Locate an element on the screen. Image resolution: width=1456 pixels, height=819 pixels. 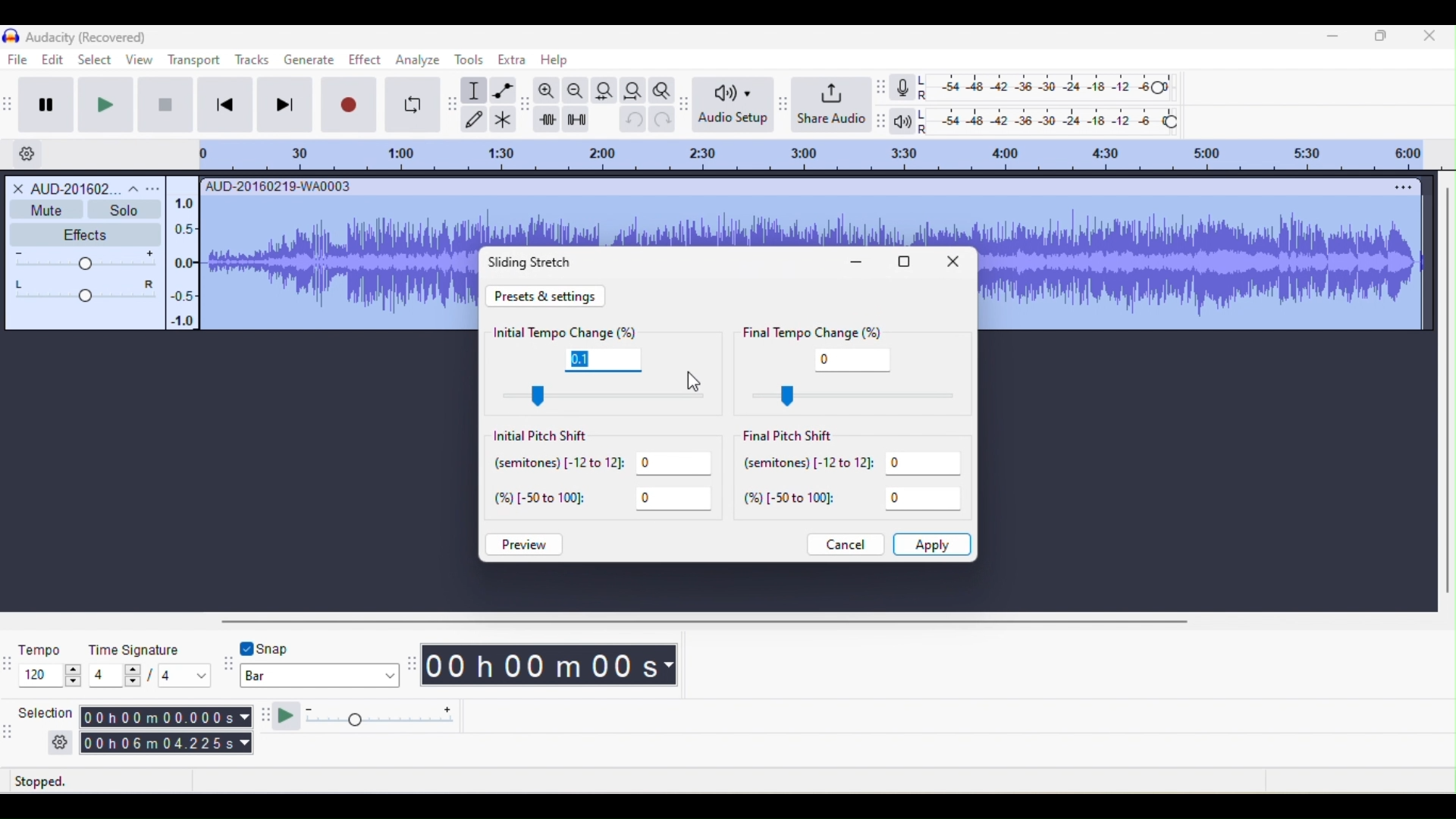
skip to end is located at coordinates (287, 107).